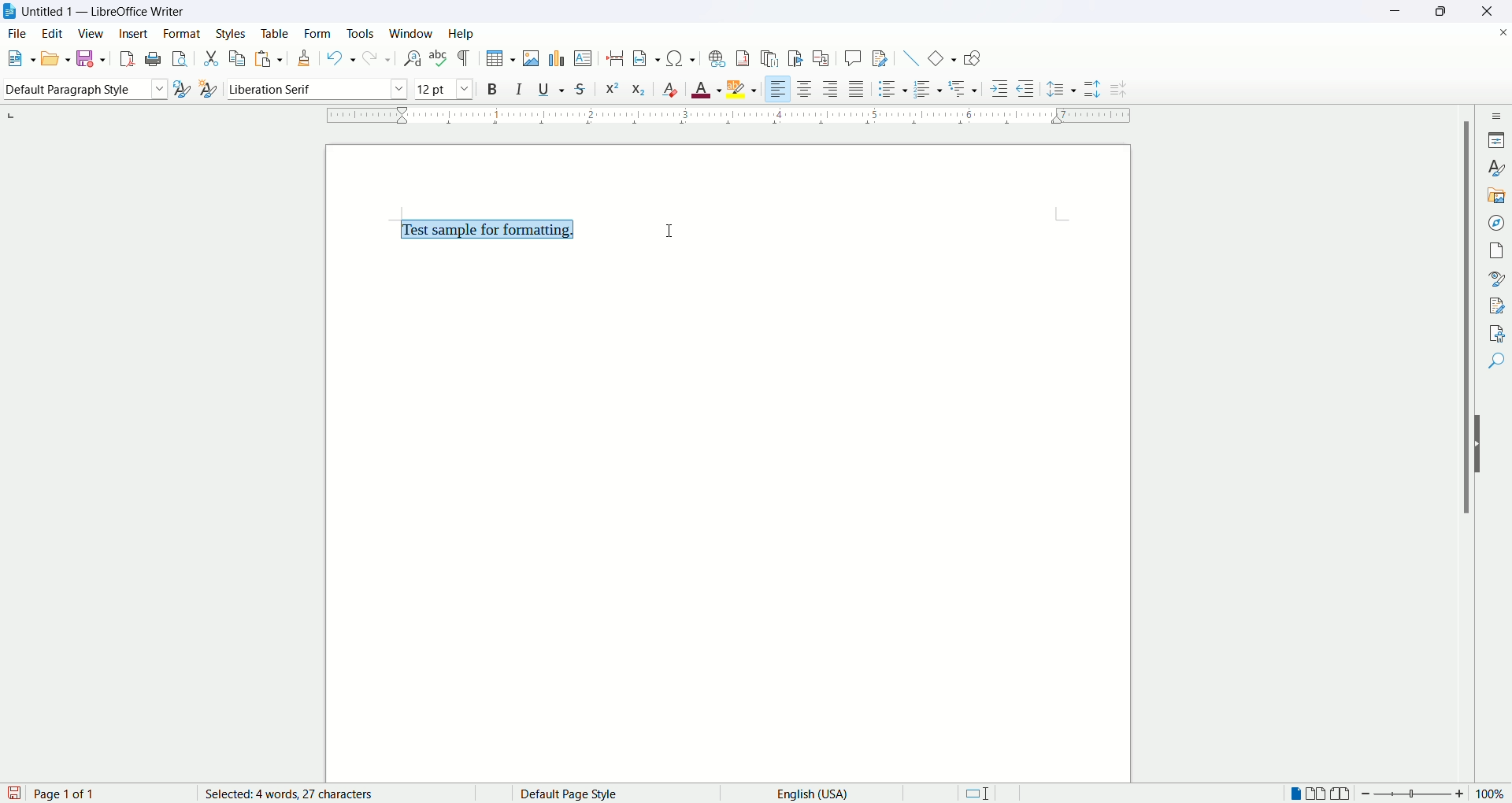 Image resolution: width=1512 pixels, height=803 pixels. I want to click on cut, so click(209, 58).